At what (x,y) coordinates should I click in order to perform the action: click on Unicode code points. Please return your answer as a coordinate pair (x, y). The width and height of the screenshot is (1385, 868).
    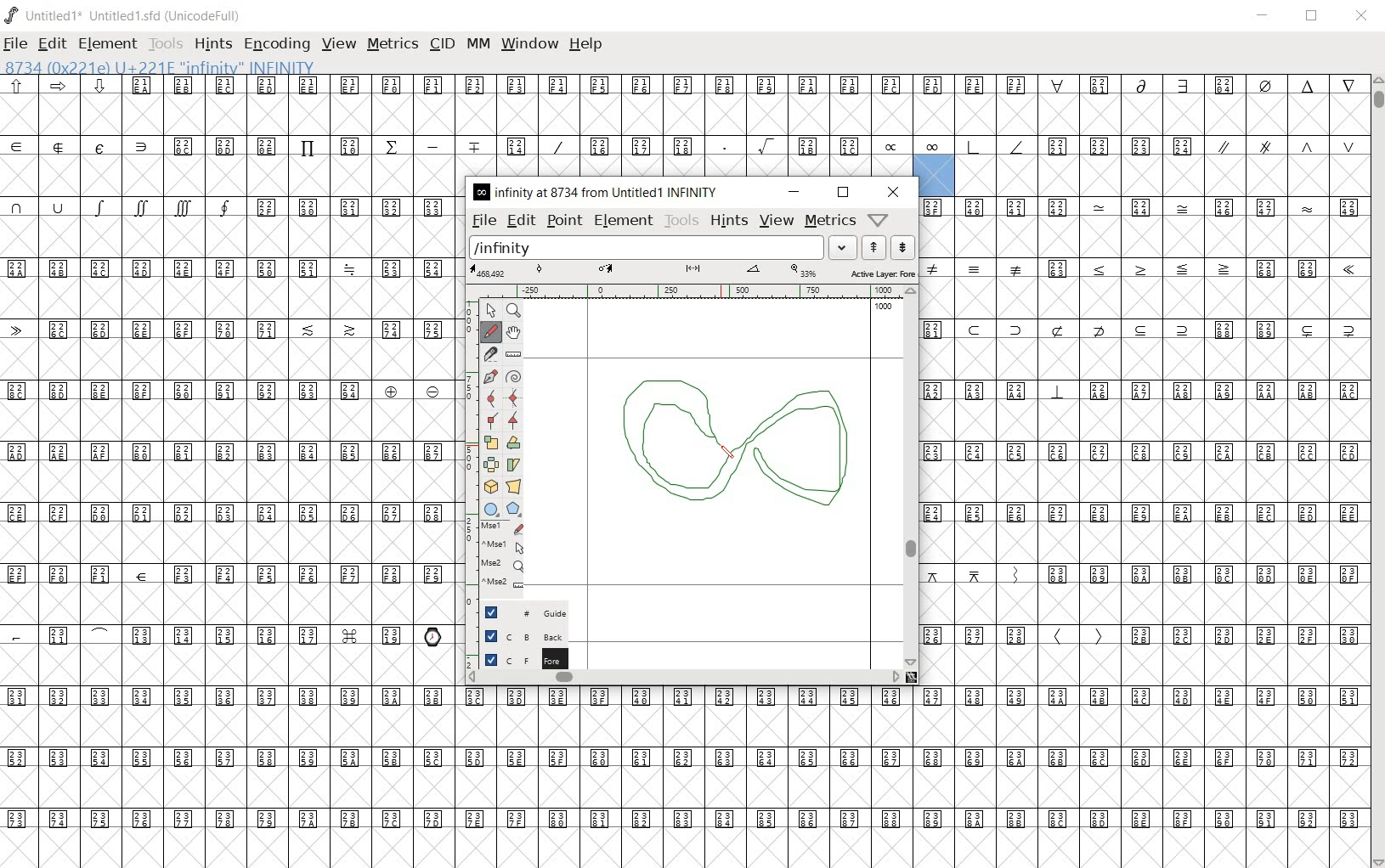
    Looking at the image, I should click on (516, 145).